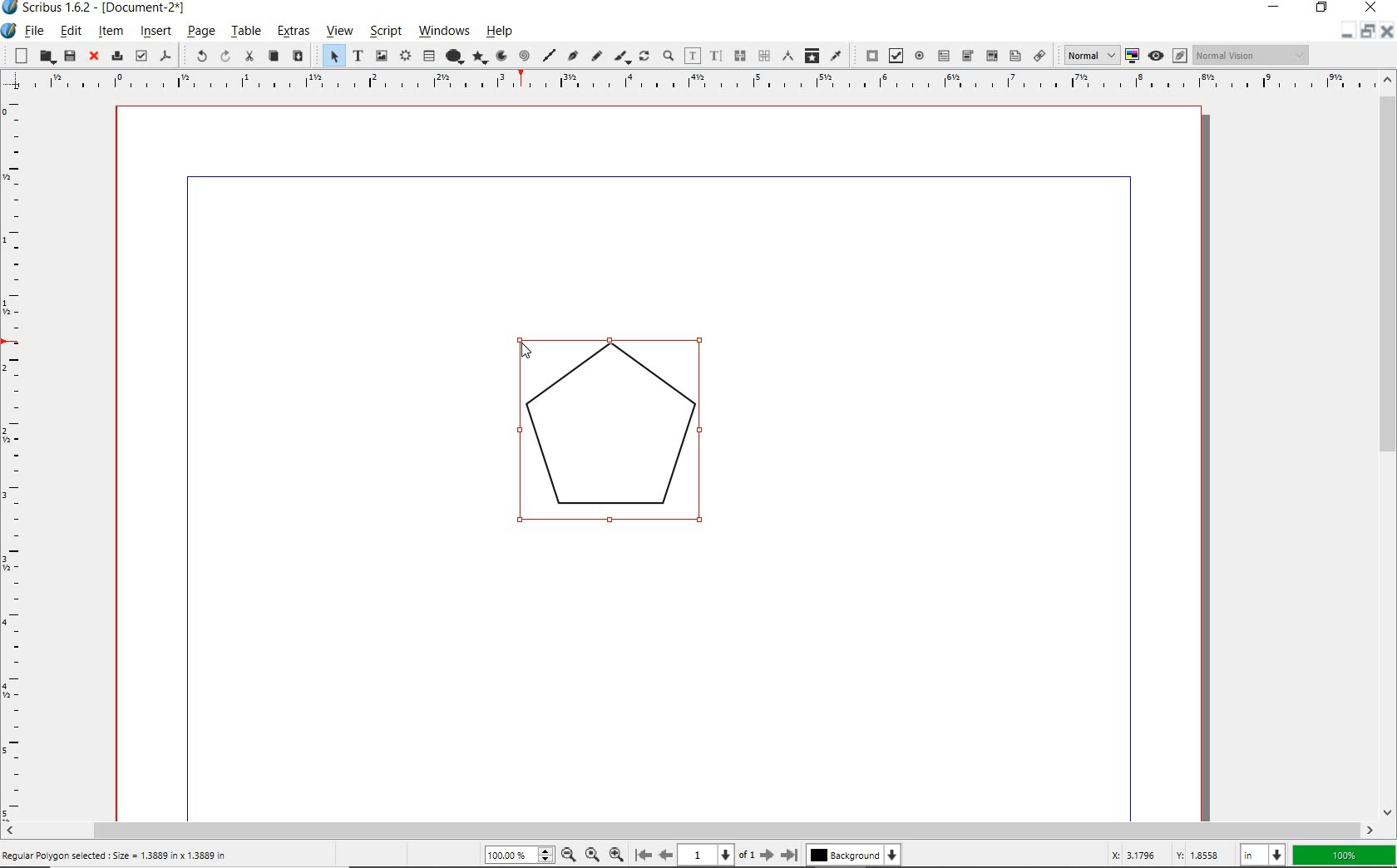 The image size is (1397, 868). I want to click on page, so click(200, 32).